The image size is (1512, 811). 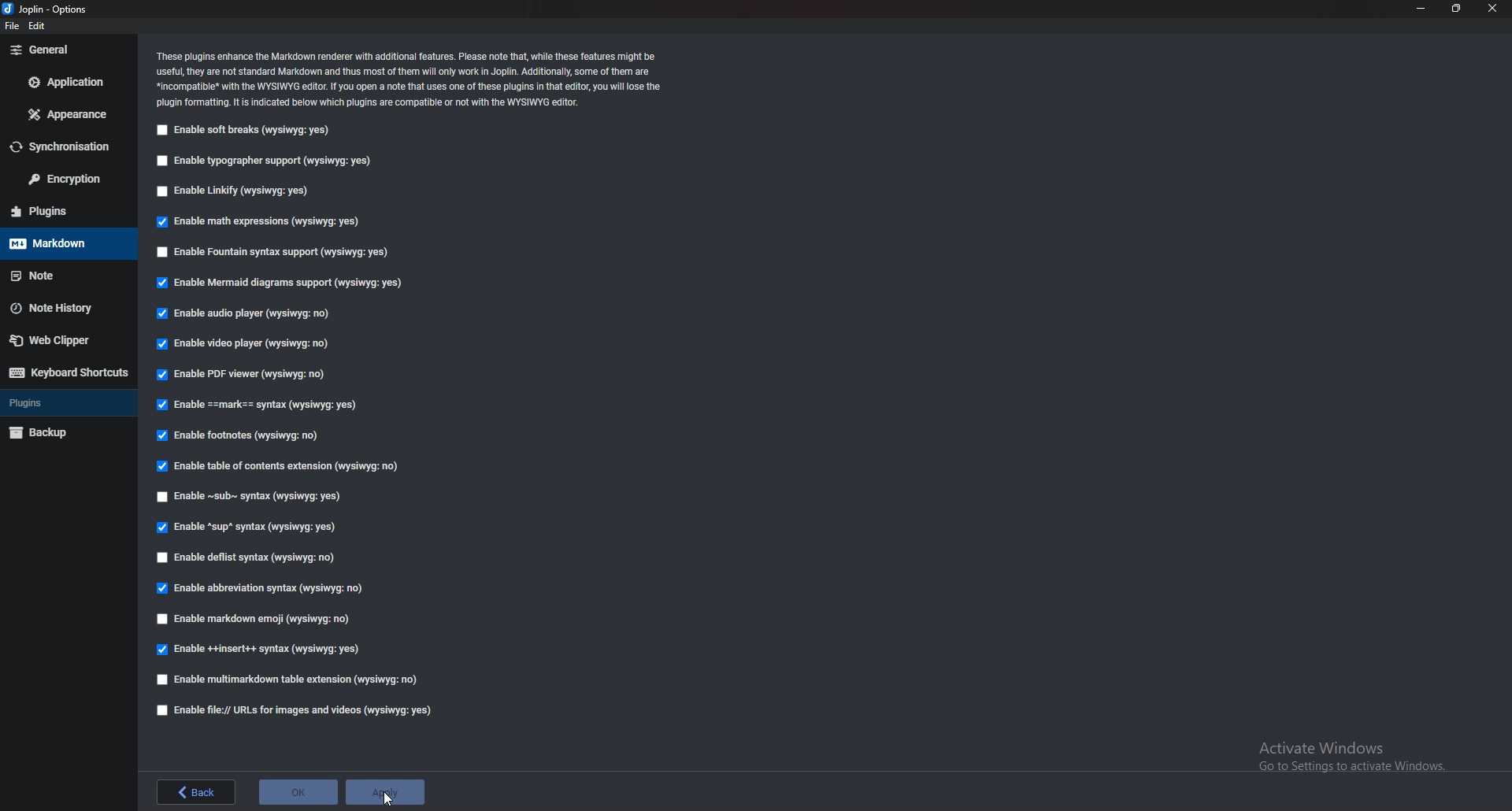 What do you see at coordinates (413, 77) in the screenshot?
I see `Info` at bounding box center [413, 77].